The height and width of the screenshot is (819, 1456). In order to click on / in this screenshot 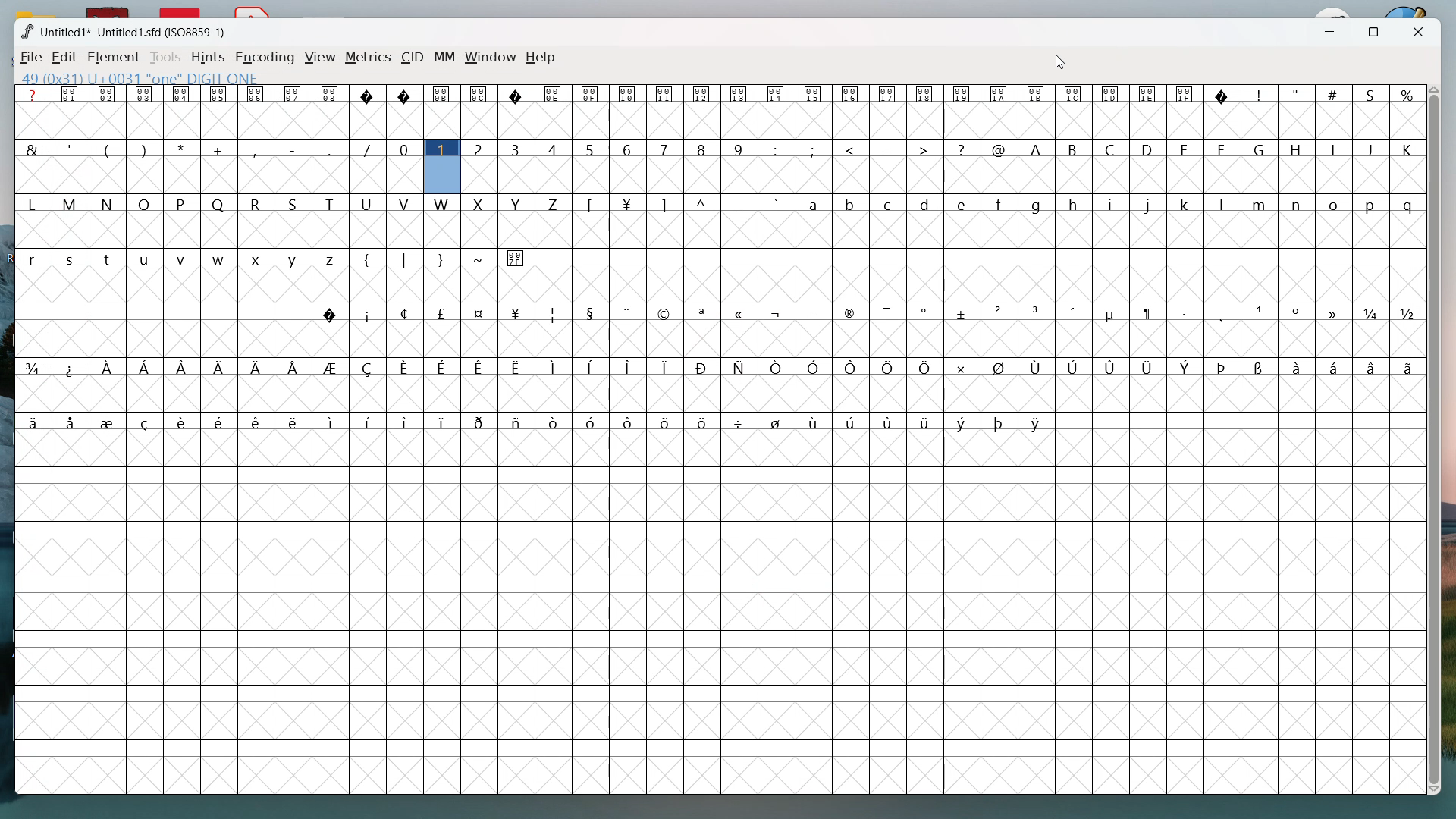, I will do `click(370, 148)`.